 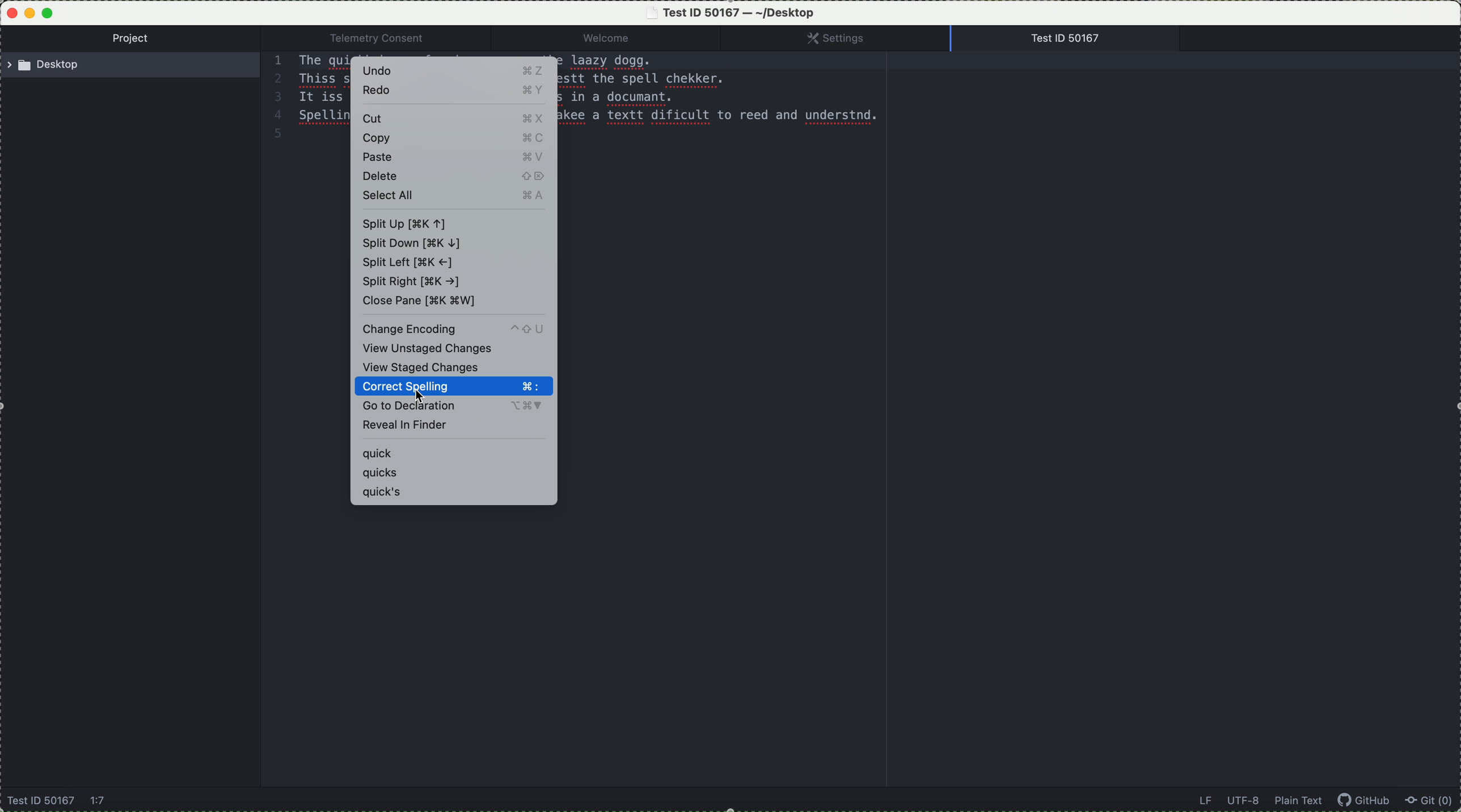 What do you see at coordinates (9, 11) in the screenshot?
I see `close program` at bounding box center [9, 11].